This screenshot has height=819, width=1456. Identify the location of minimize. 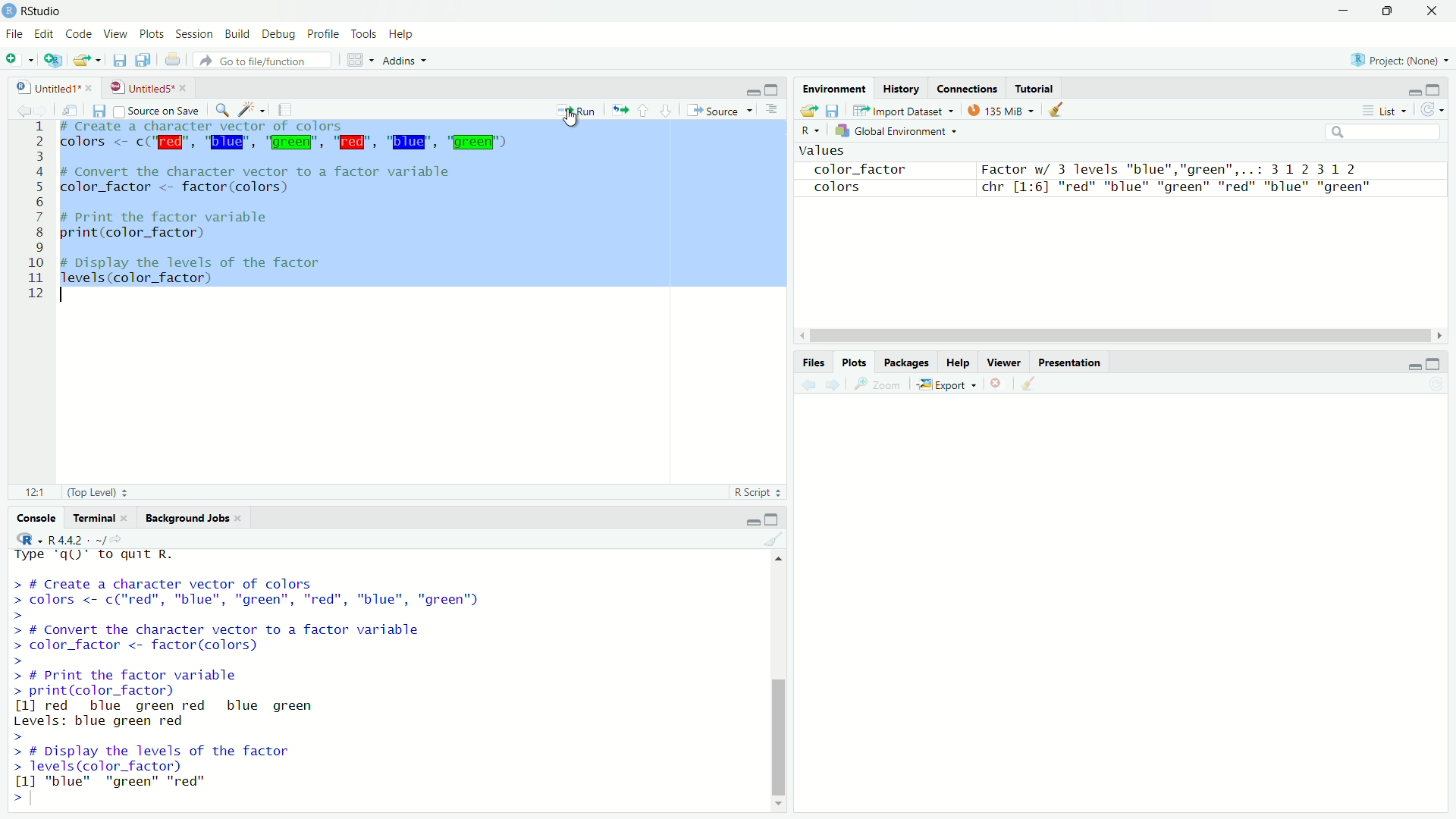
(749, 89).